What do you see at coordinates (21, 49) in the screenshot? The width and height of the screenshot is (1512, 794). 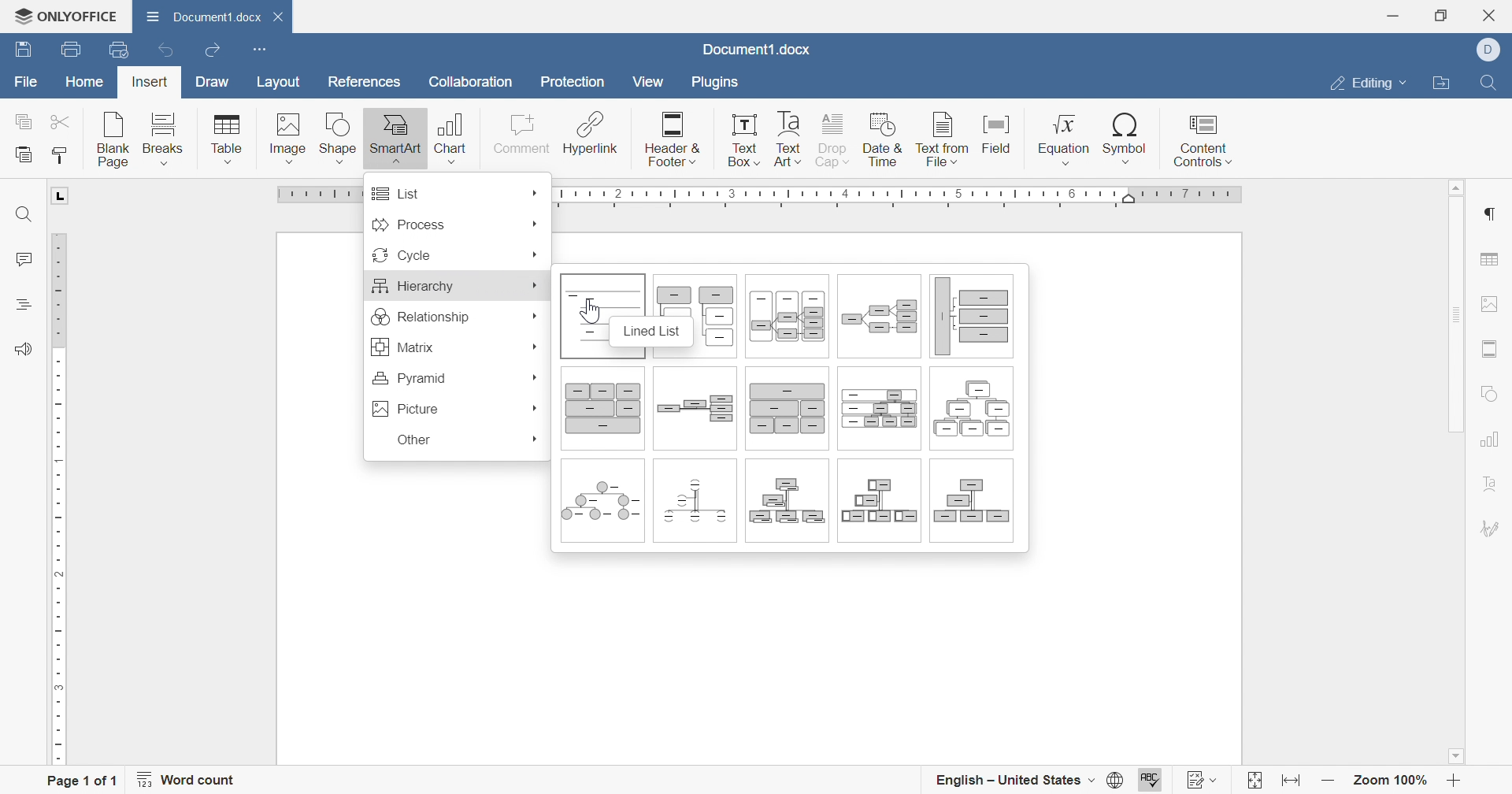 I see `Save` at bounding box center [21, 49].